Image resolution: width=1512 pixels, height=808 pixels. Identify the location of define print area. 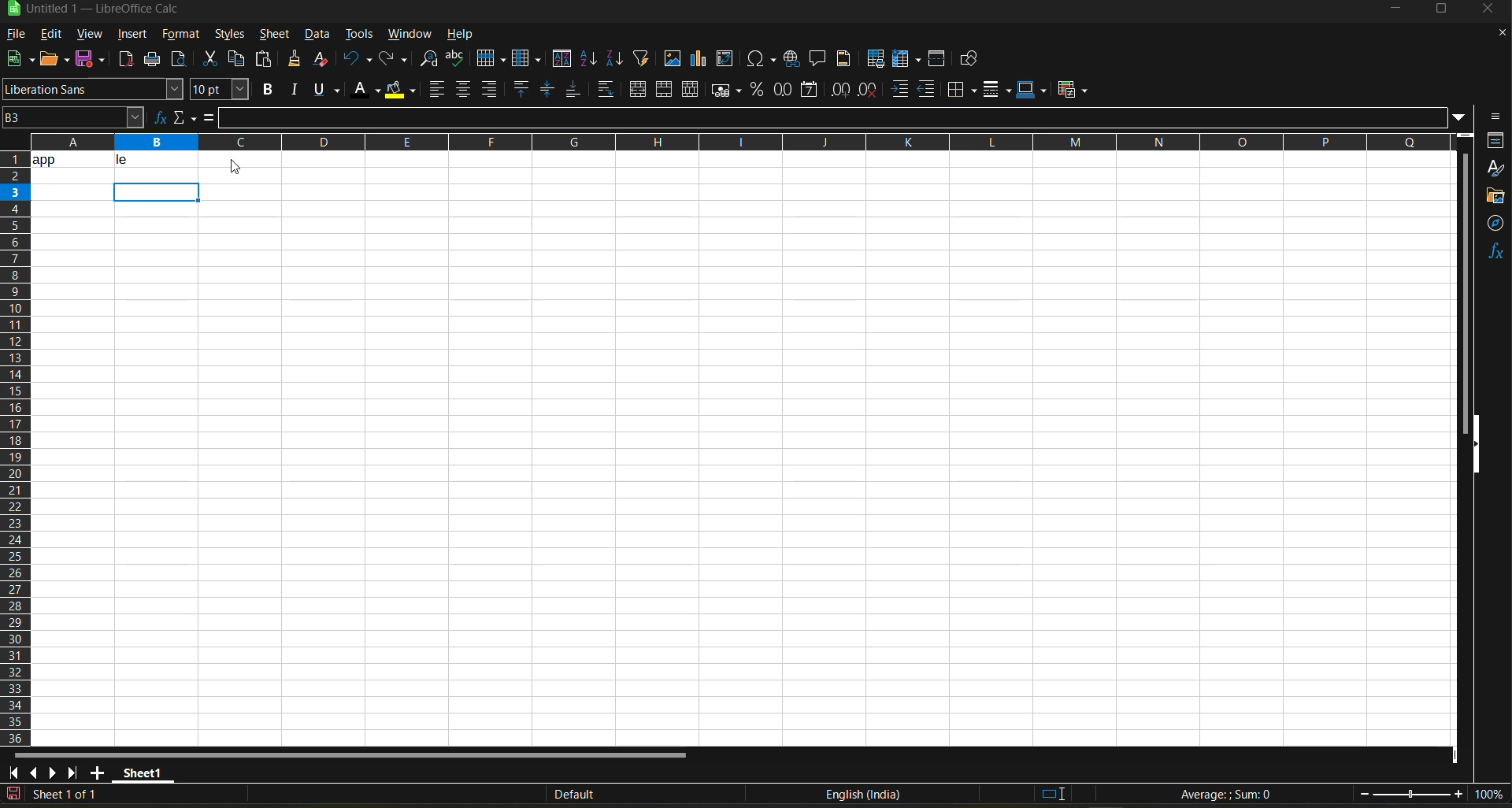
(875, 59).